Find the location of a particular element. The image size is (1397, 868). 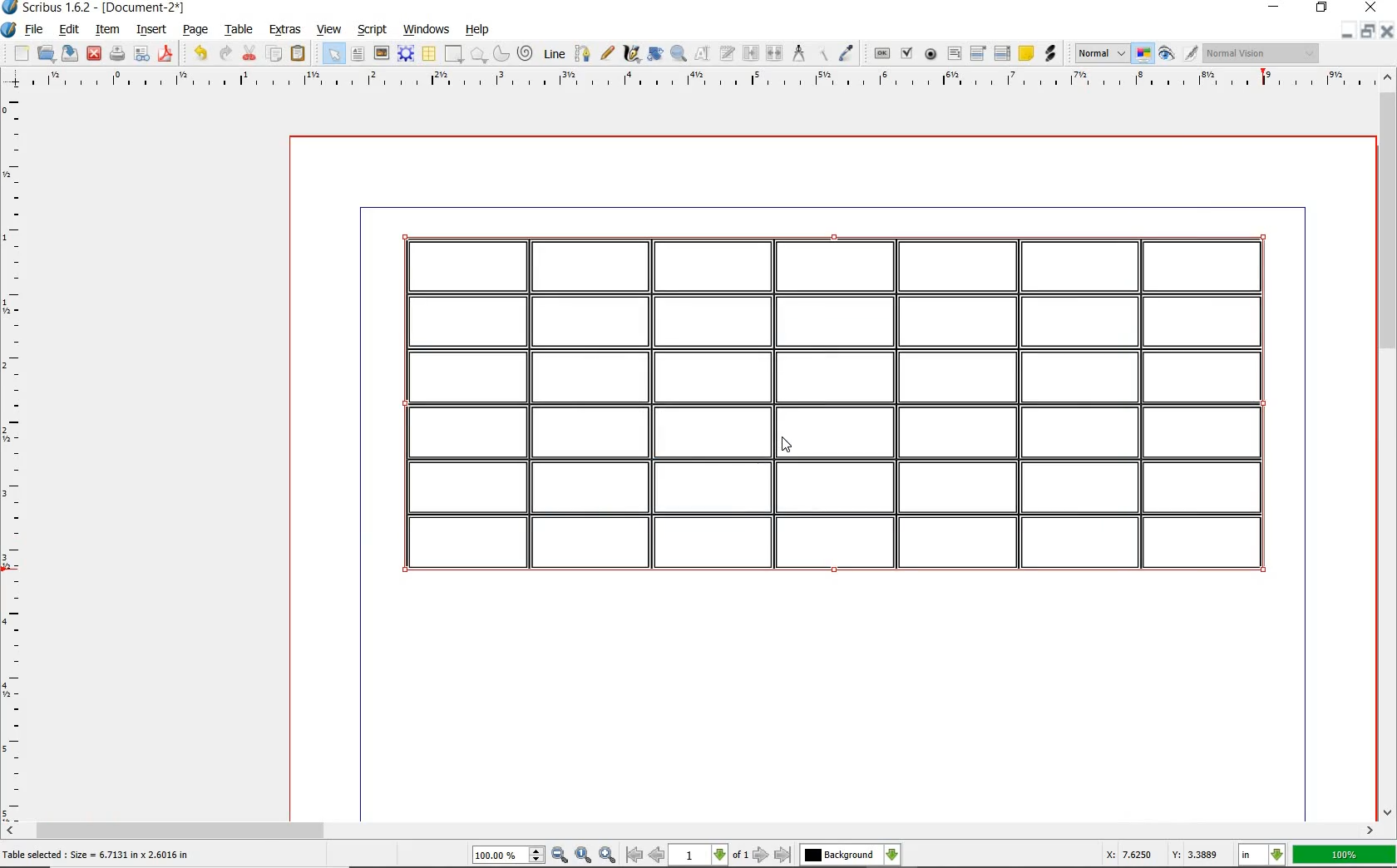

shape is located at coordinates (454, 55).